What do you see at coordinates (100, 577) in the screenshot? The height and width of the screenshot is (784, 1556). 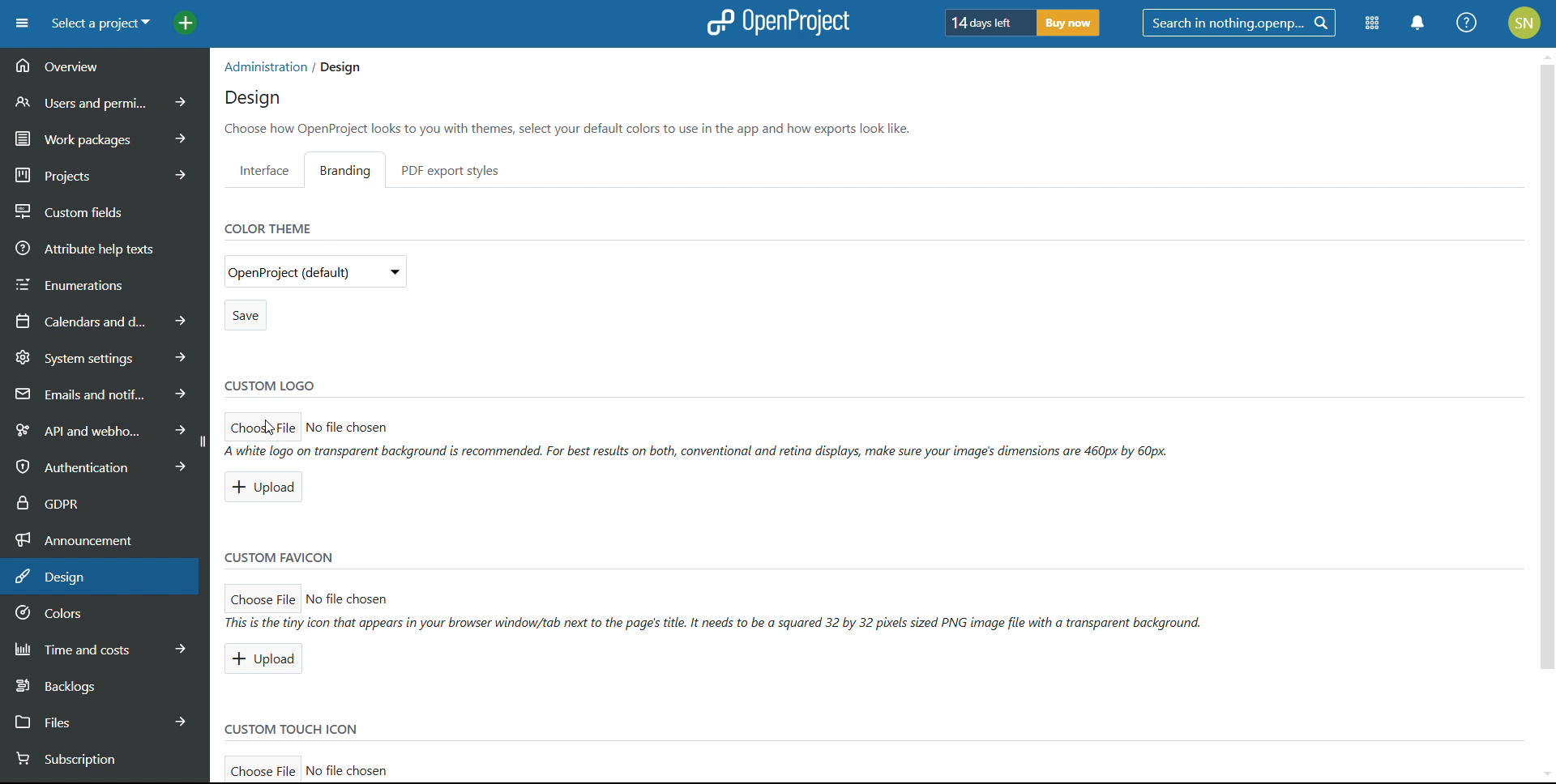 I see `design selected` at bounding box center [100, 577].